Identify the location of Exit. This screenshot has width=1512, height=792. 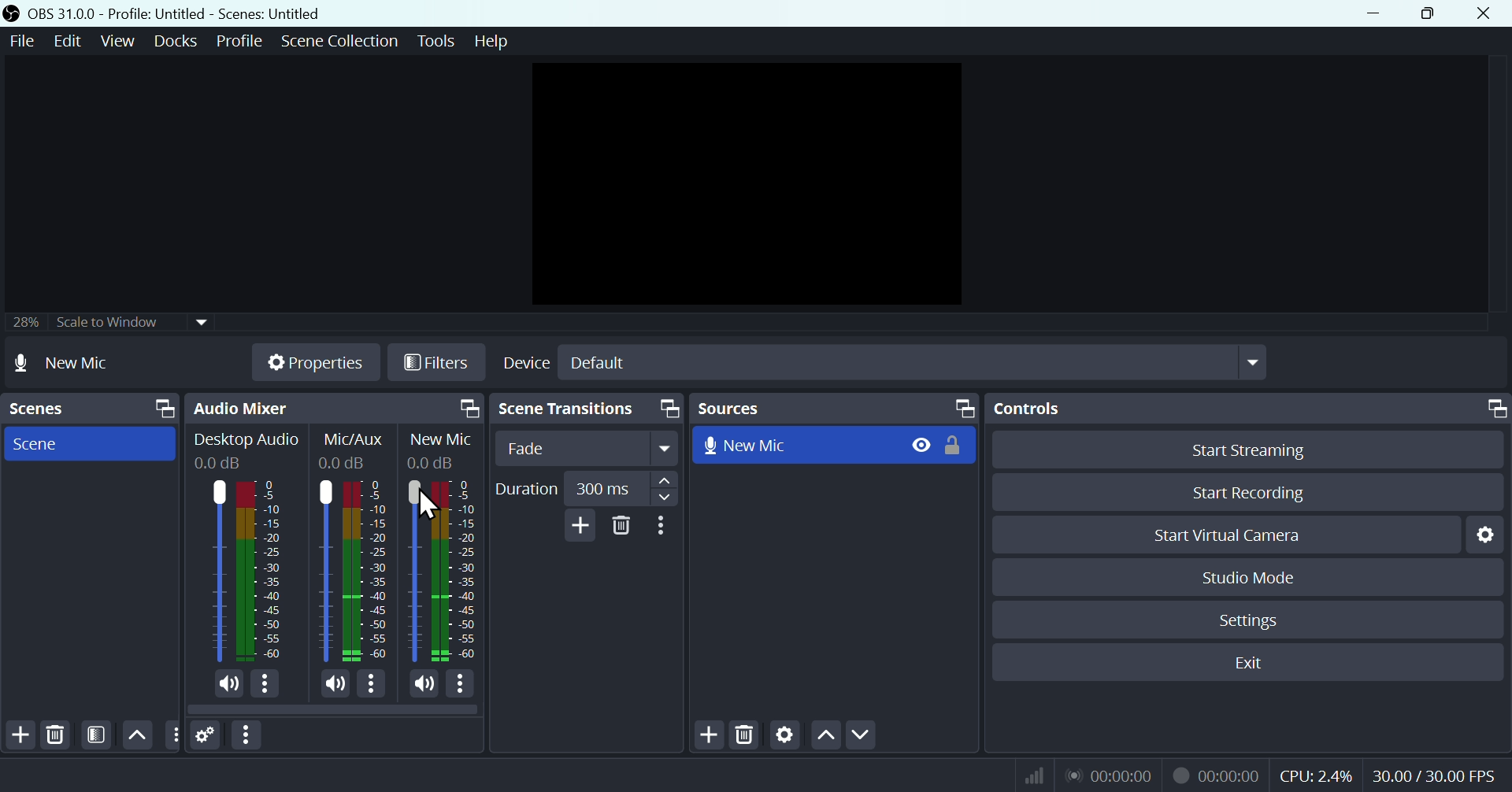
(1258, 663).